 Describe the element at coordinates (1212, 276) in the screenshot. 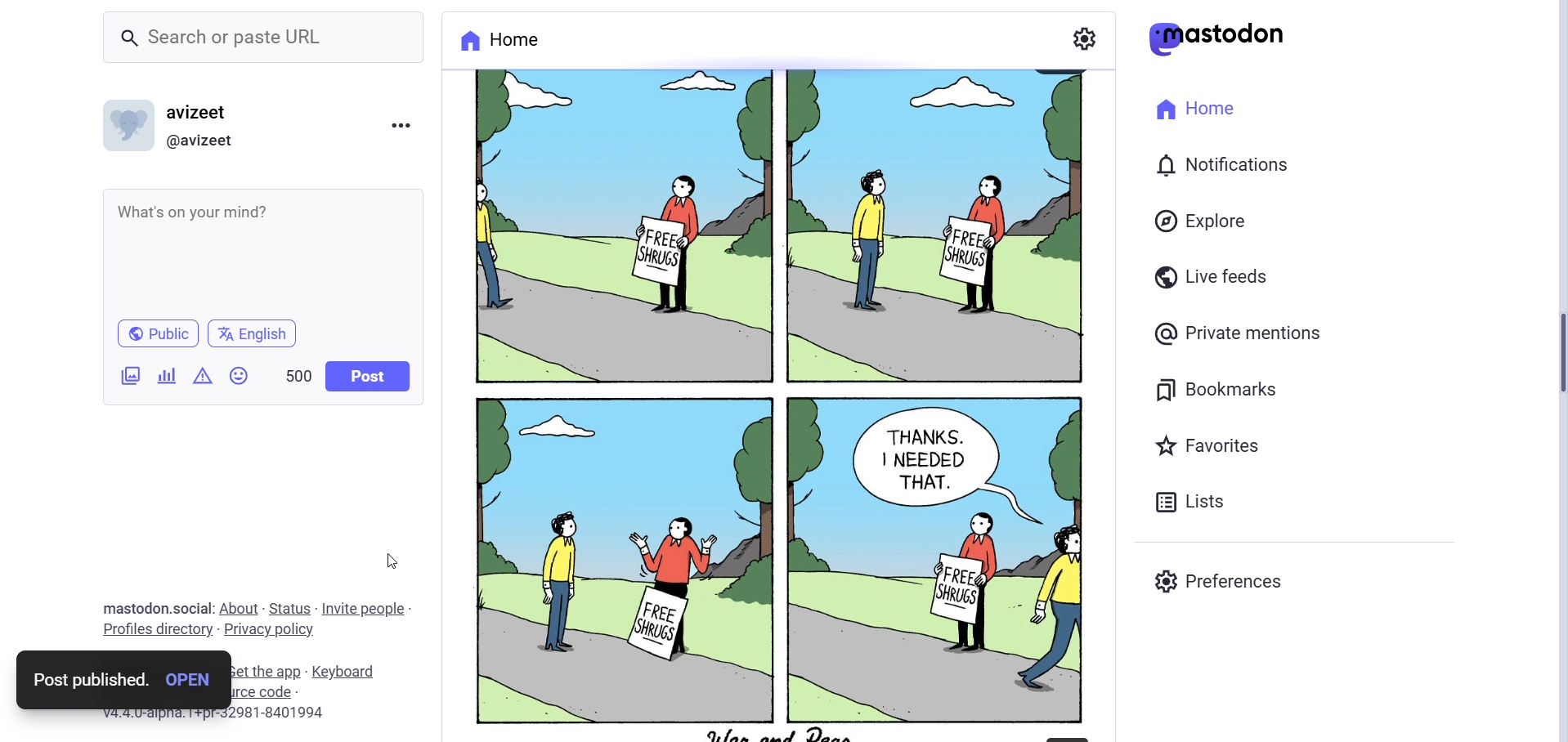

I see `Live Feeds` at that location.